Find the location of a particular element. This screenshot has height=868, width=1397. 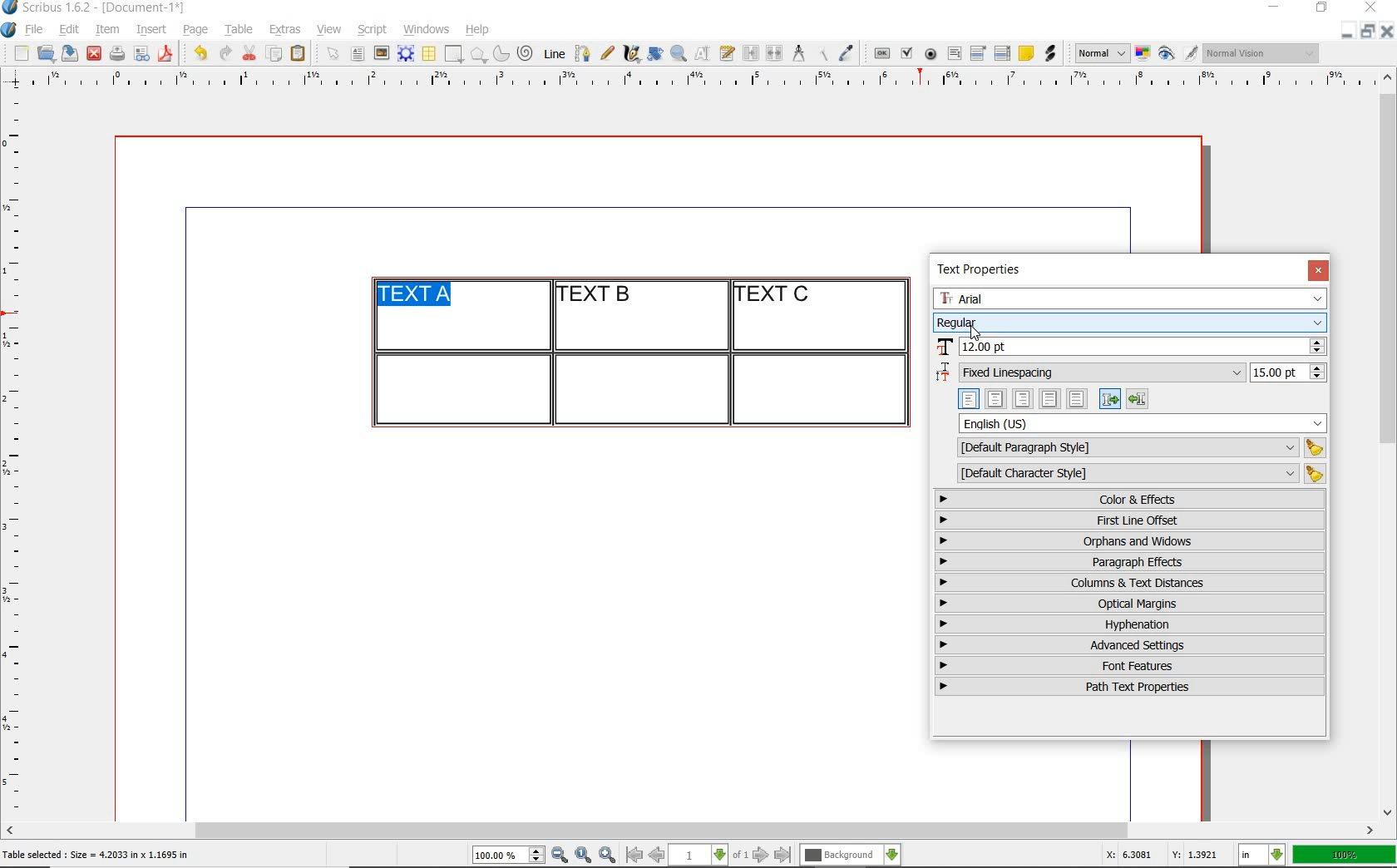

edit contents of frame is located at coordinates (703, 52).